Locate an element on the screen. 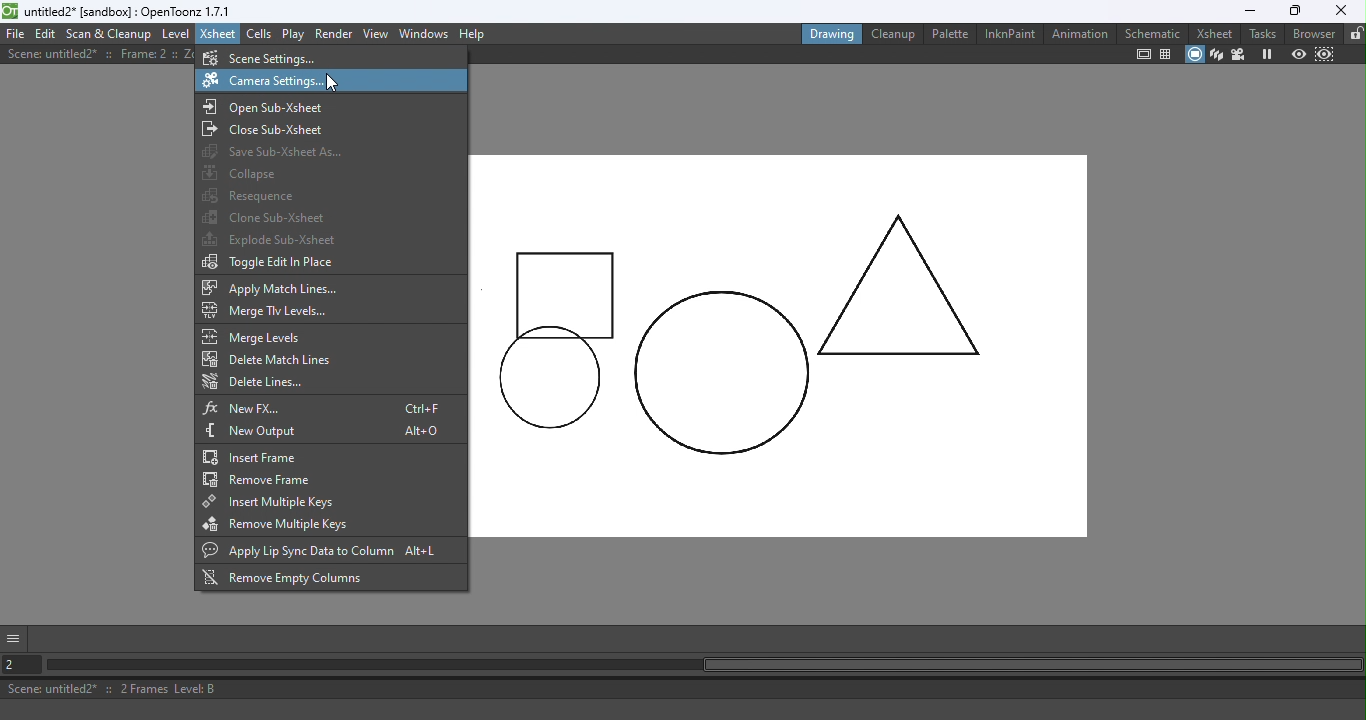 This screenshot has height=720, width=1366. Animation is located at coordinates (1078, 33).